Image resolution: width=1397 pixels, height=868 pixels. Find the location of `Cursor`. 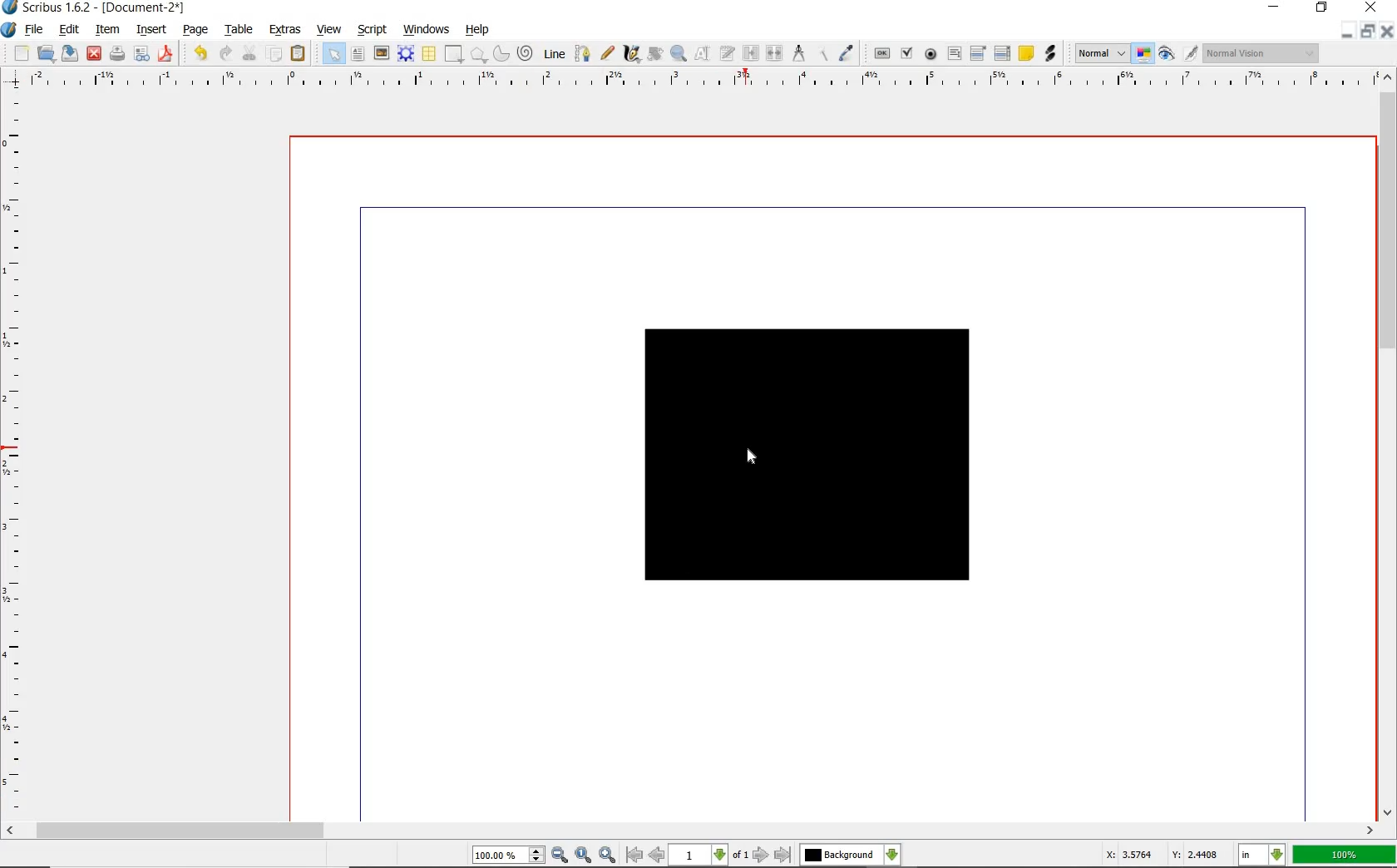

Cursor is located at coordinates (752, 456).